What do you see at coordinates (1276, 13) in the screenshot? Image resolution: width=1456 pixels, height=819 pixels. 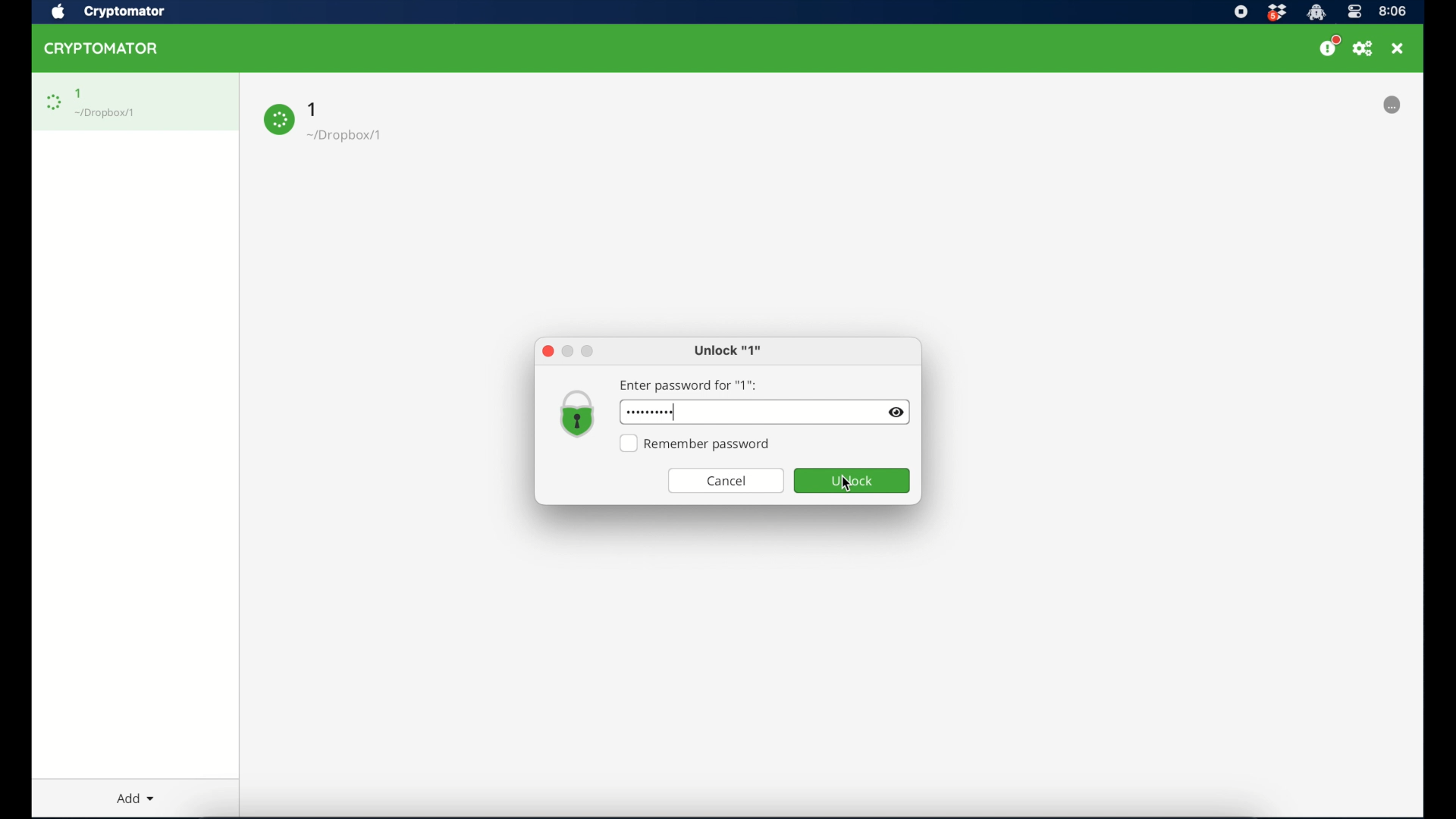 I see `dropbox icon` at bounding box center [1276, 13].